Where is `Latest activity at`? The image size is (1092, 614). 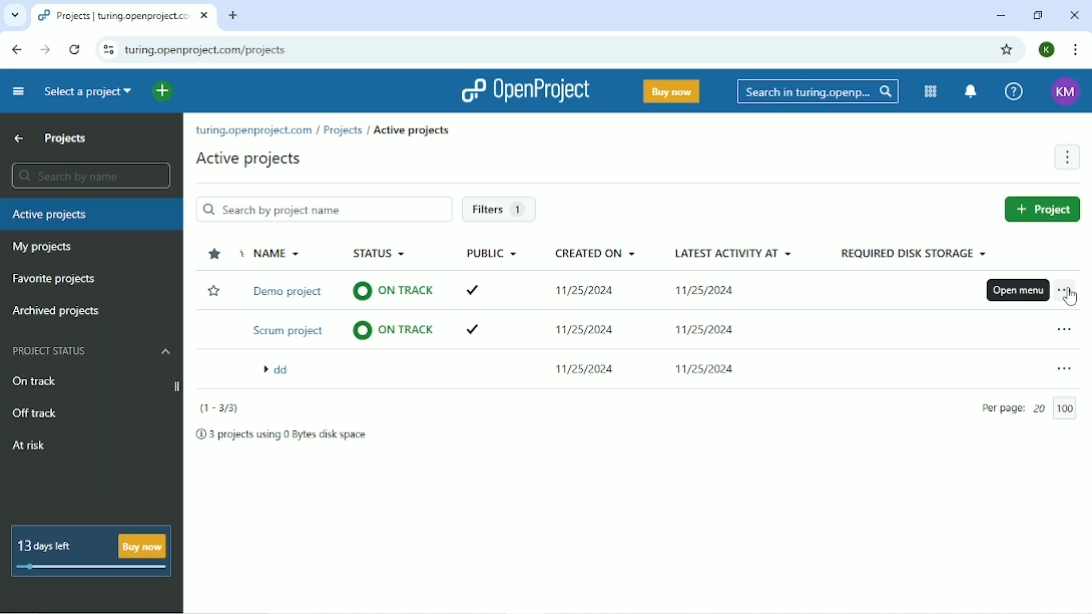
Latest activity at is located at coordinates (734, 253).